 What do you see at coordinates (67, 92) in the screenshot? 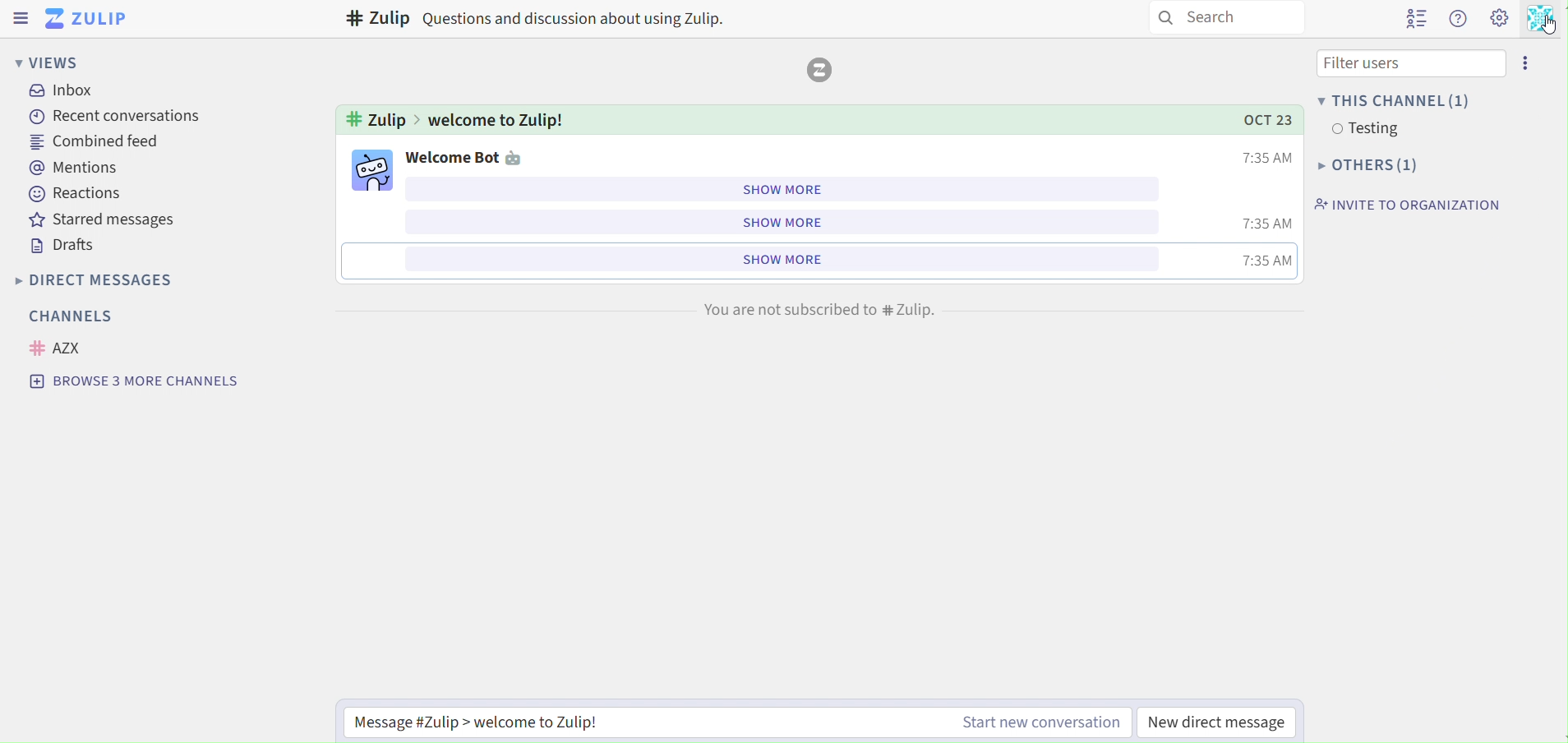
I see `inbox` at bounding box center [67, 92].